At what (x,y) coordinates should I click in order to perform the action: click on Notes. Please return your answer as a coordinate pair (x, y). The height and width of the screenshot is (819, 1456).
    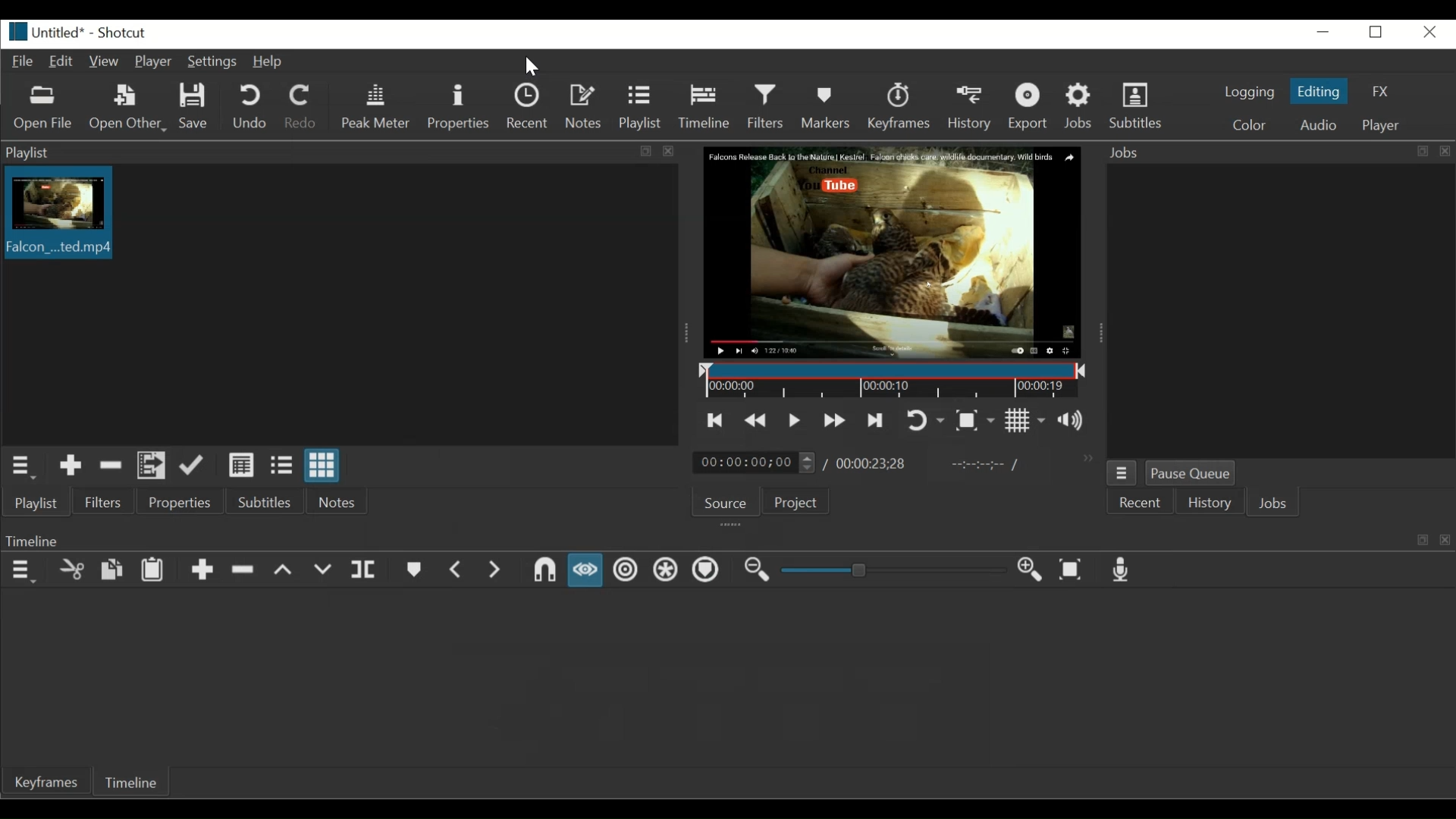
    Looking at the image, I should click on (585, 107).